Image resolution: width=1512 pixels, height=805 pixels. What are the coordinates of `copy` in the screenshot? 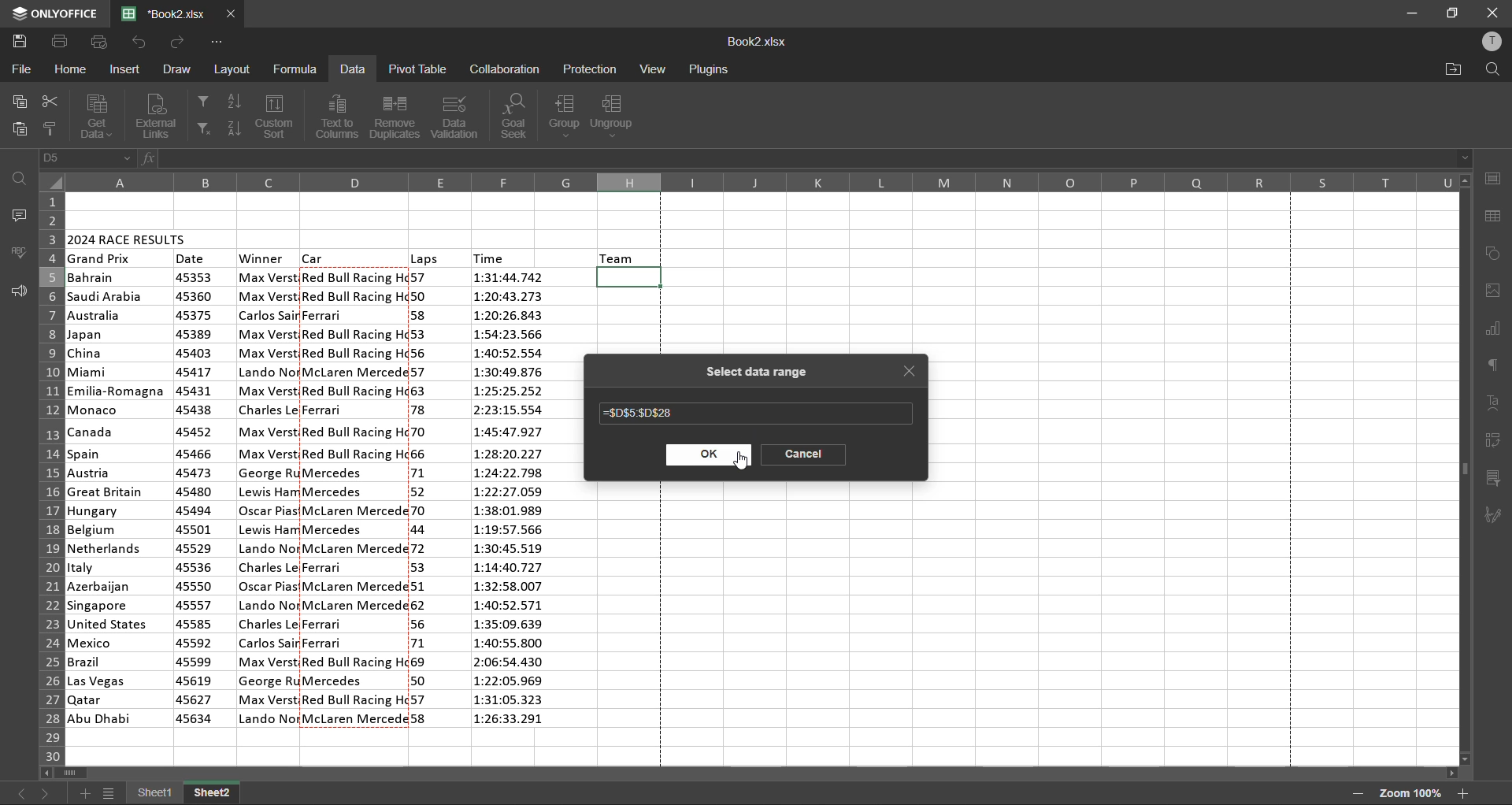 It's located at (18, 103).